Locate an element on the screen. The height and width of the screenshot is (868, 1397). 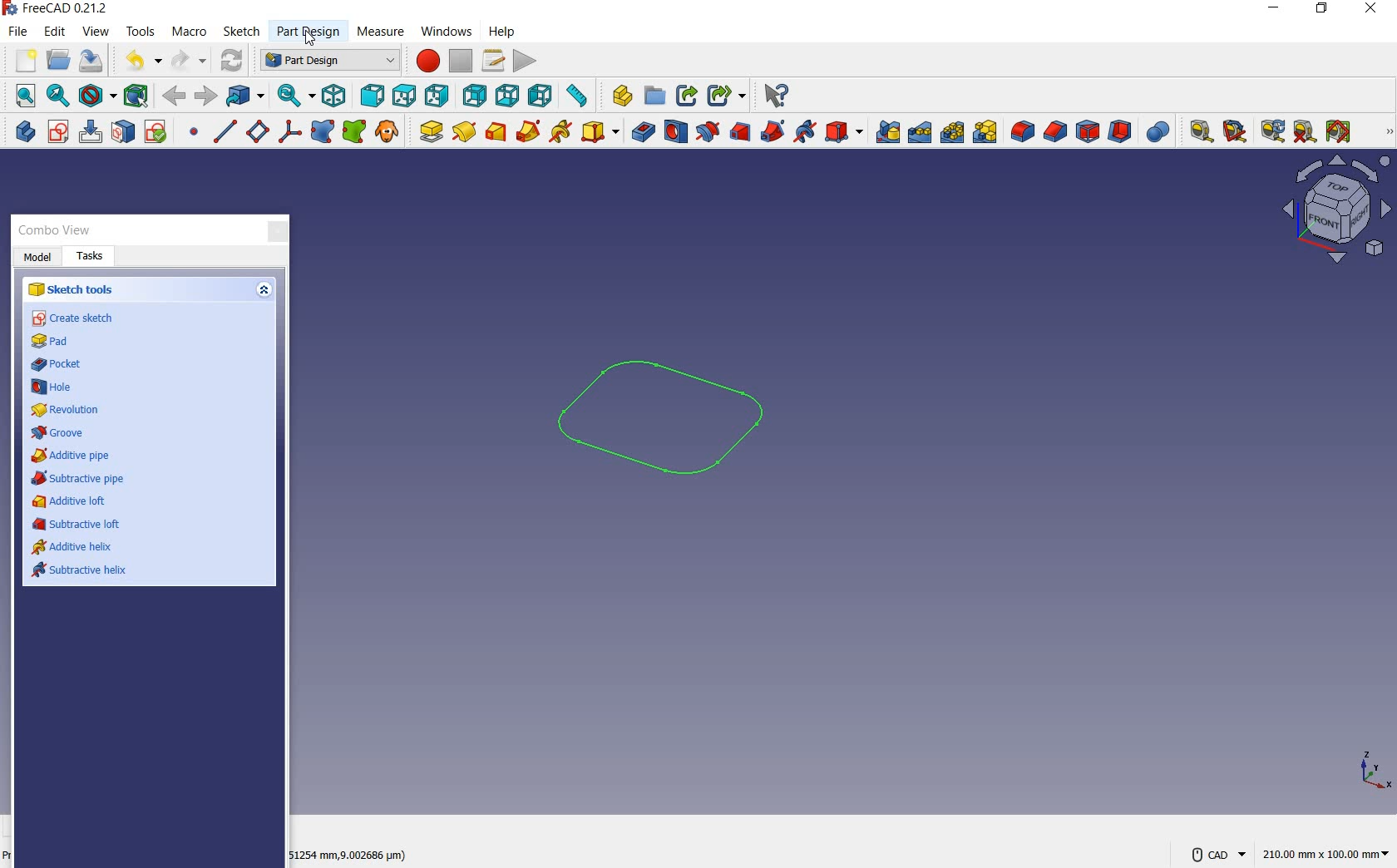
front is located at coordinates (373, 96).